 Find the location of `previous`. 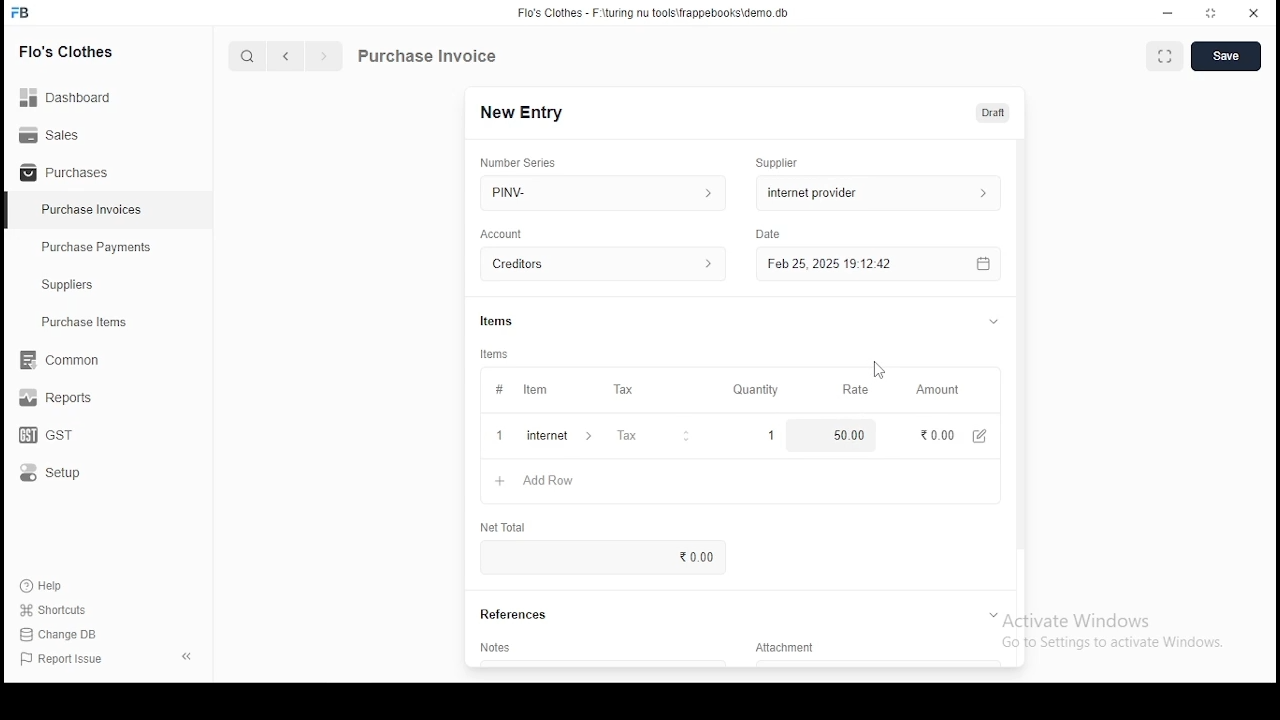

previous is located at coordinates (287, 57).